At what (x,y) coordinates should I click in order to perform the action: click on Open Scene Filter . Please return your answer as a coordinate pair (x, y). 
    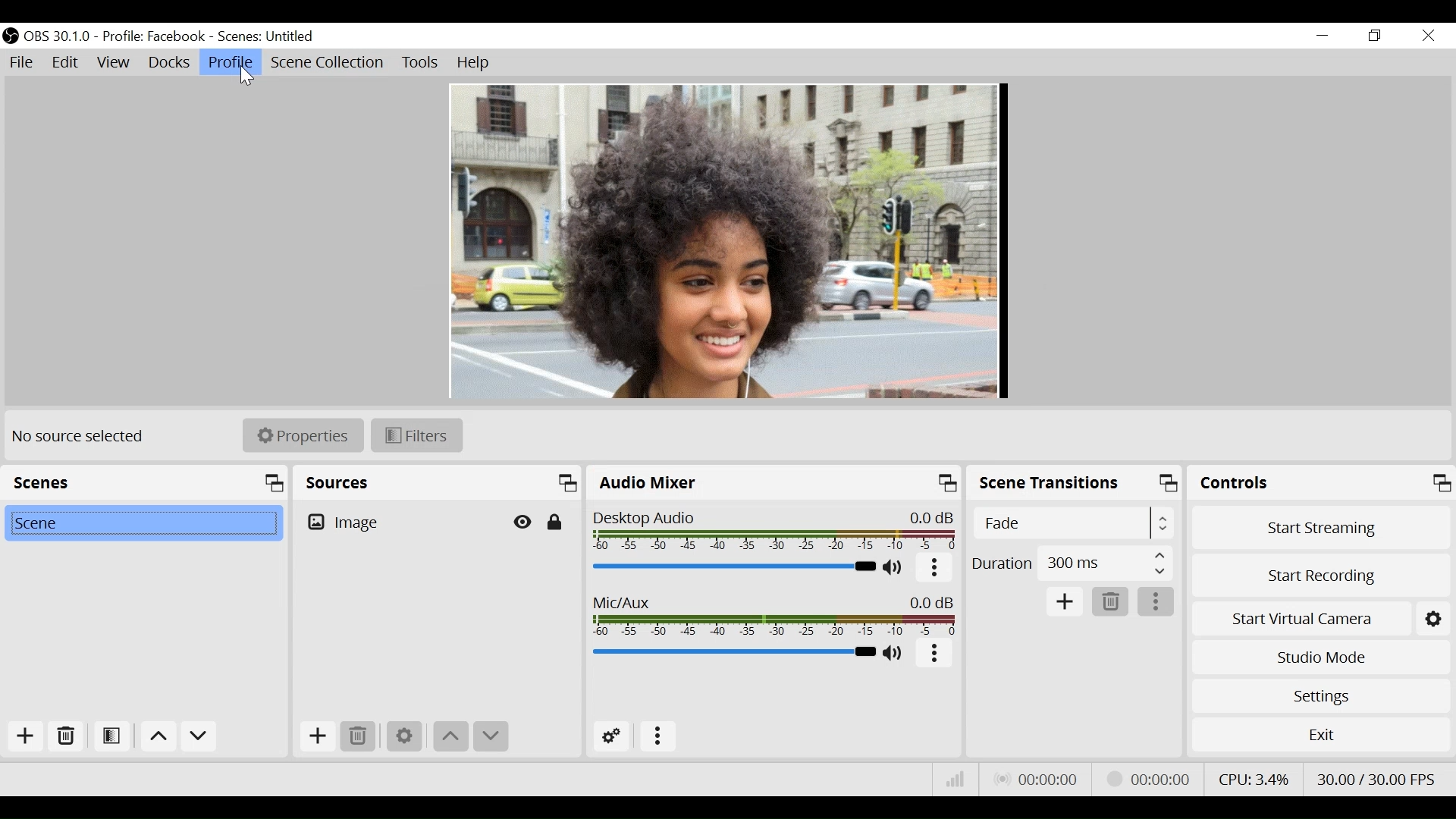
    Looking at the image, I should click on (108, 739).